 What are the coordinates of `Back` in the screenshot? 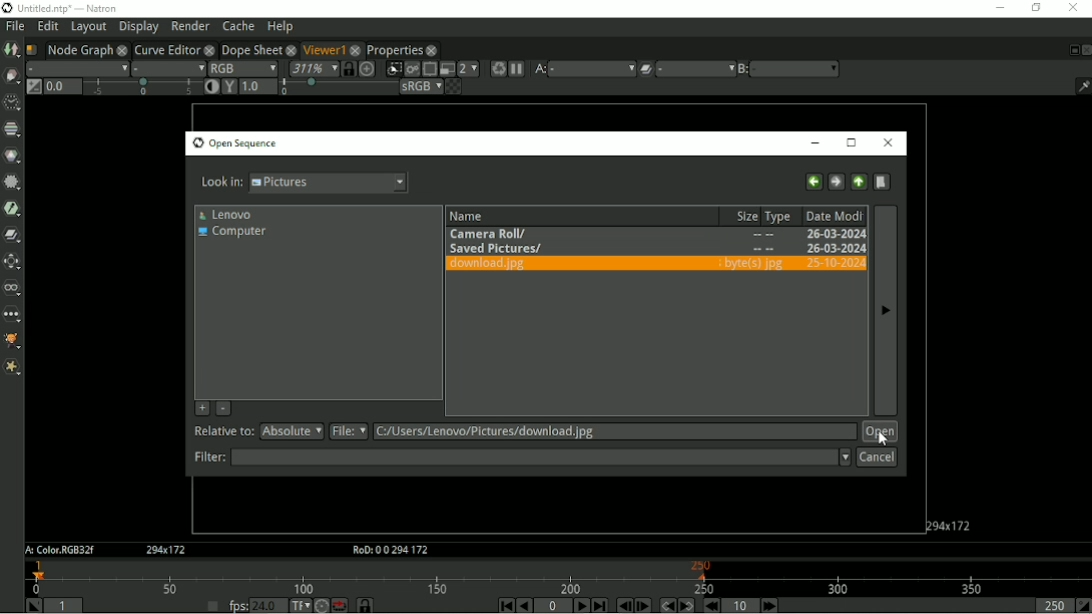 It's located at (813, 181).